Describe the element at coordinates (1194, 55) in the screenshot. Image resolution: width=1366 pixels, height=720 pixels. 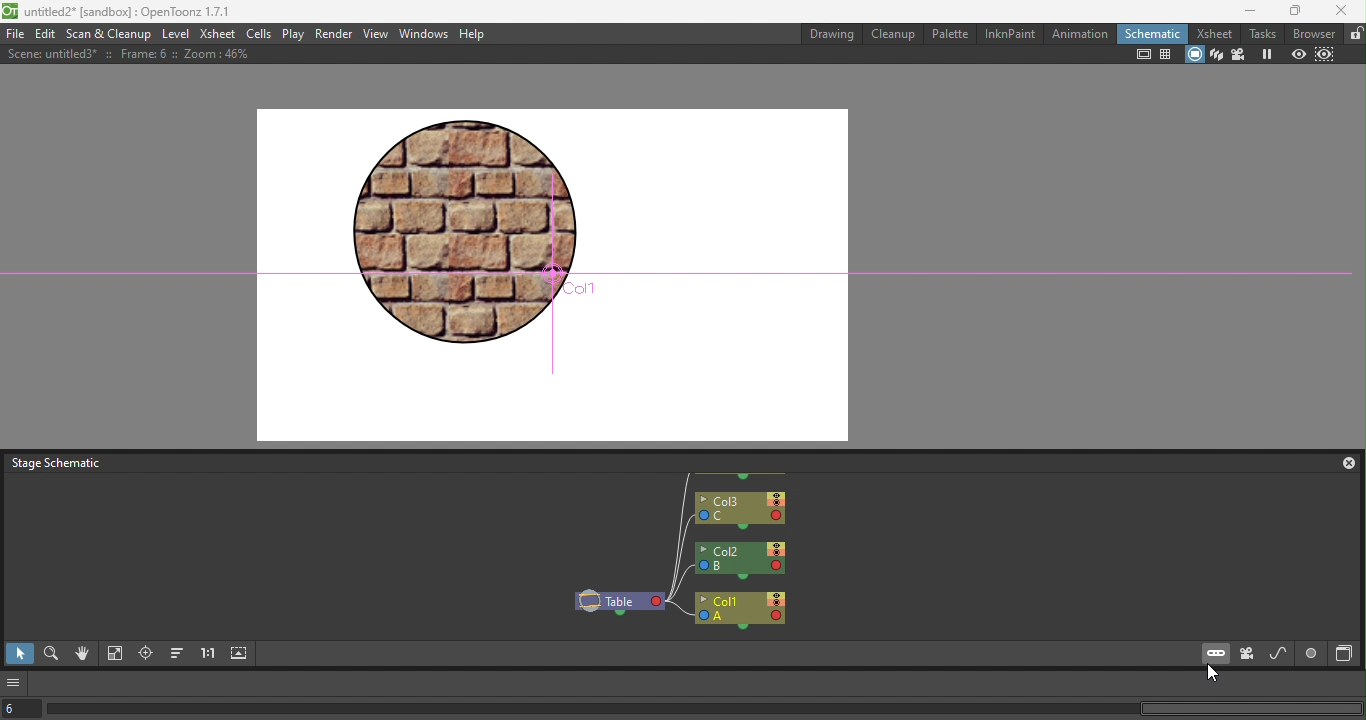
I see `Camera stand view` at that location.